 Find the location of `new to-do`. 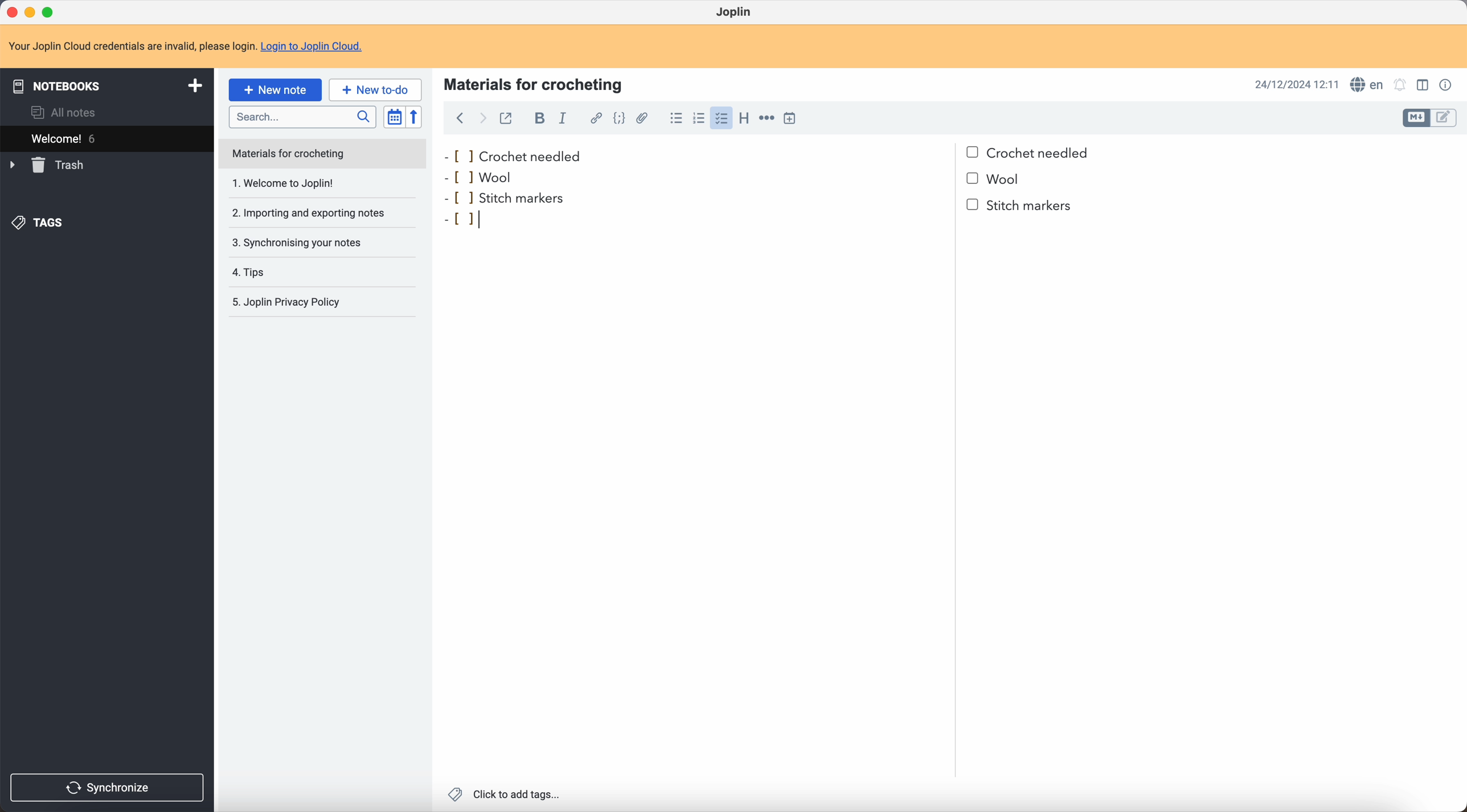

new to-do is located at coordinates (375, 89).